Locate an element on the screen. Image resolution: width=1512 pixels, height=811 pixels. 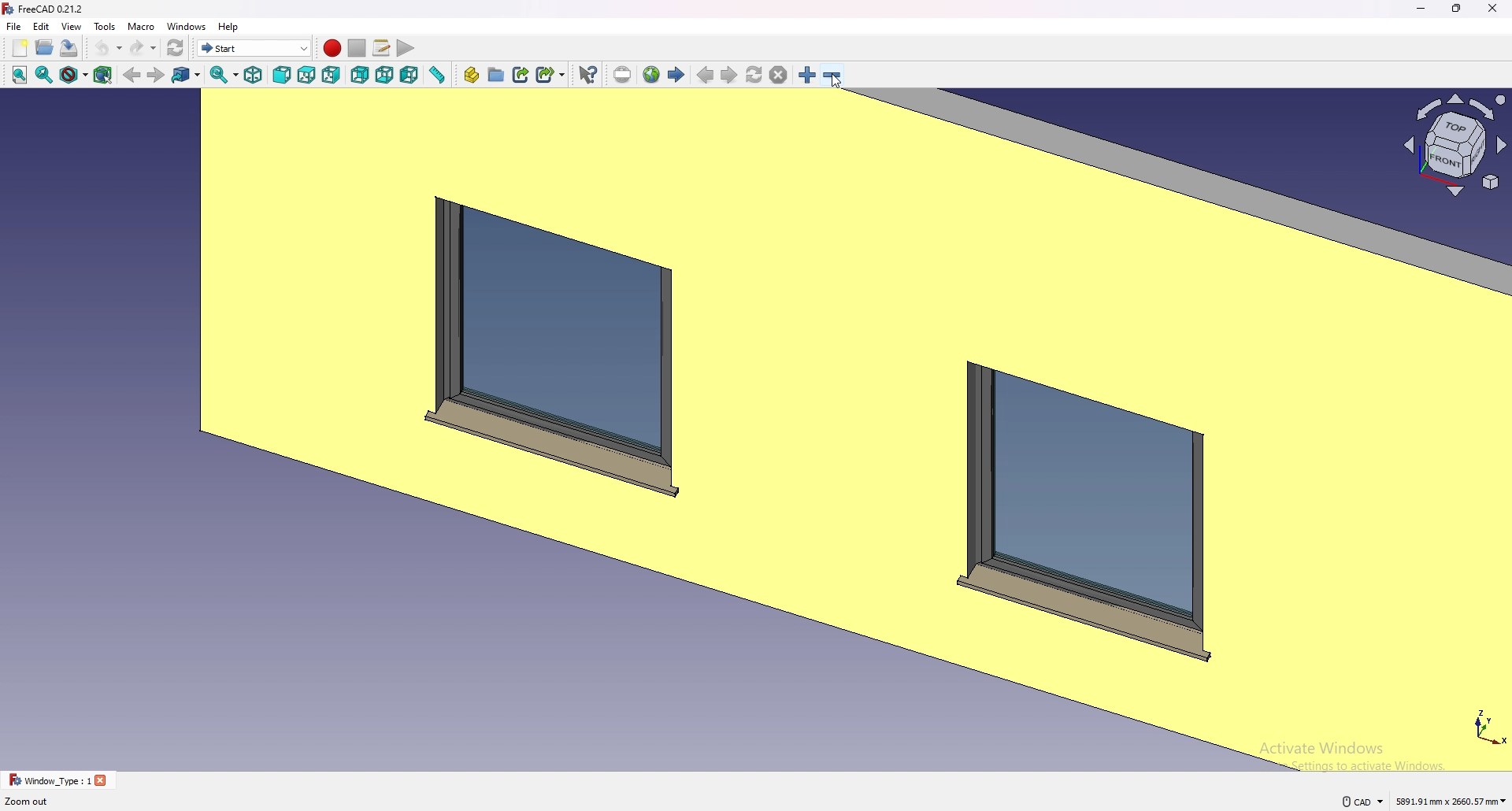
measure distance is located at coordinates (436, 75).